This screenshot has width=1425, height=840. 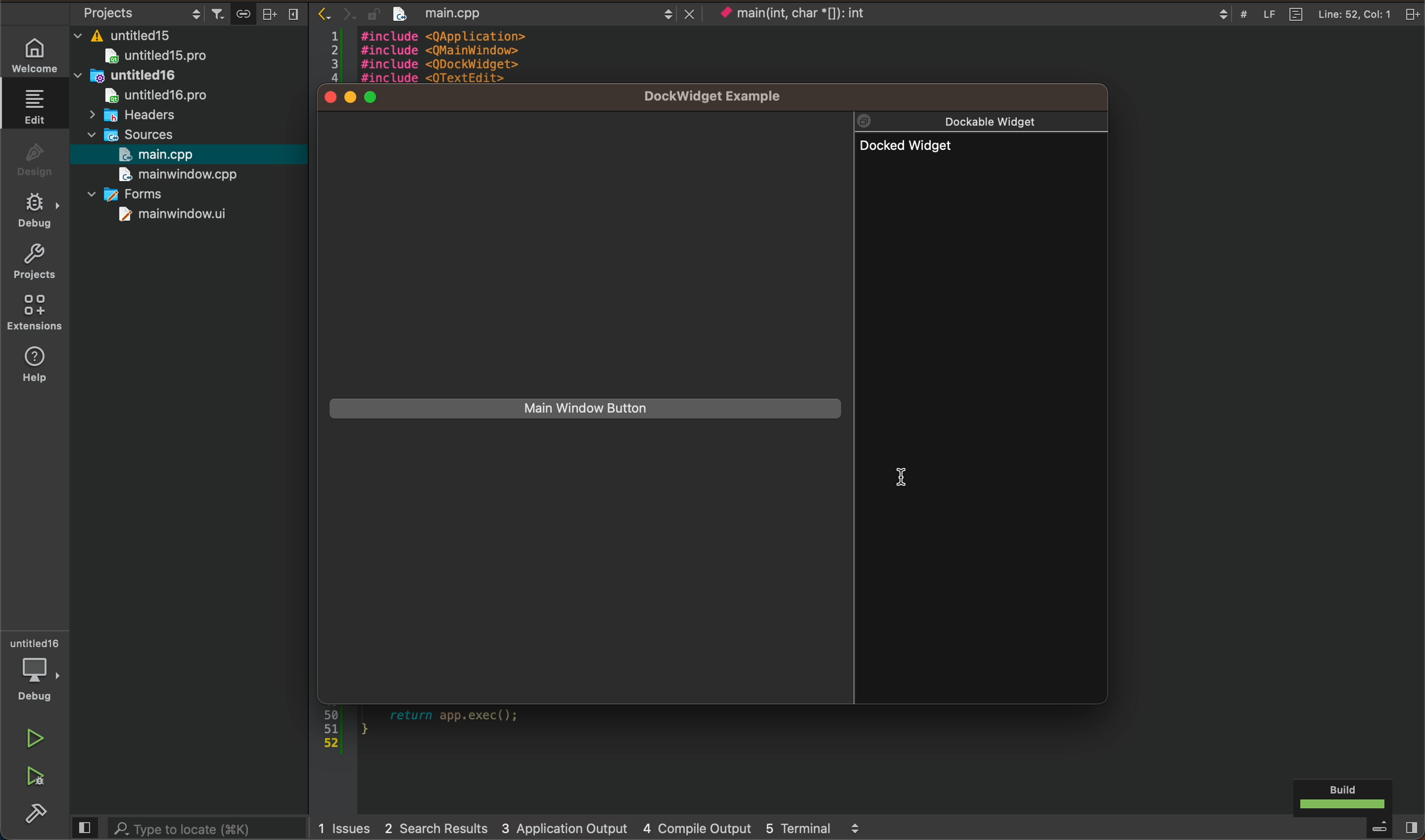 I want to click on logs, so click(x=600, y=829).